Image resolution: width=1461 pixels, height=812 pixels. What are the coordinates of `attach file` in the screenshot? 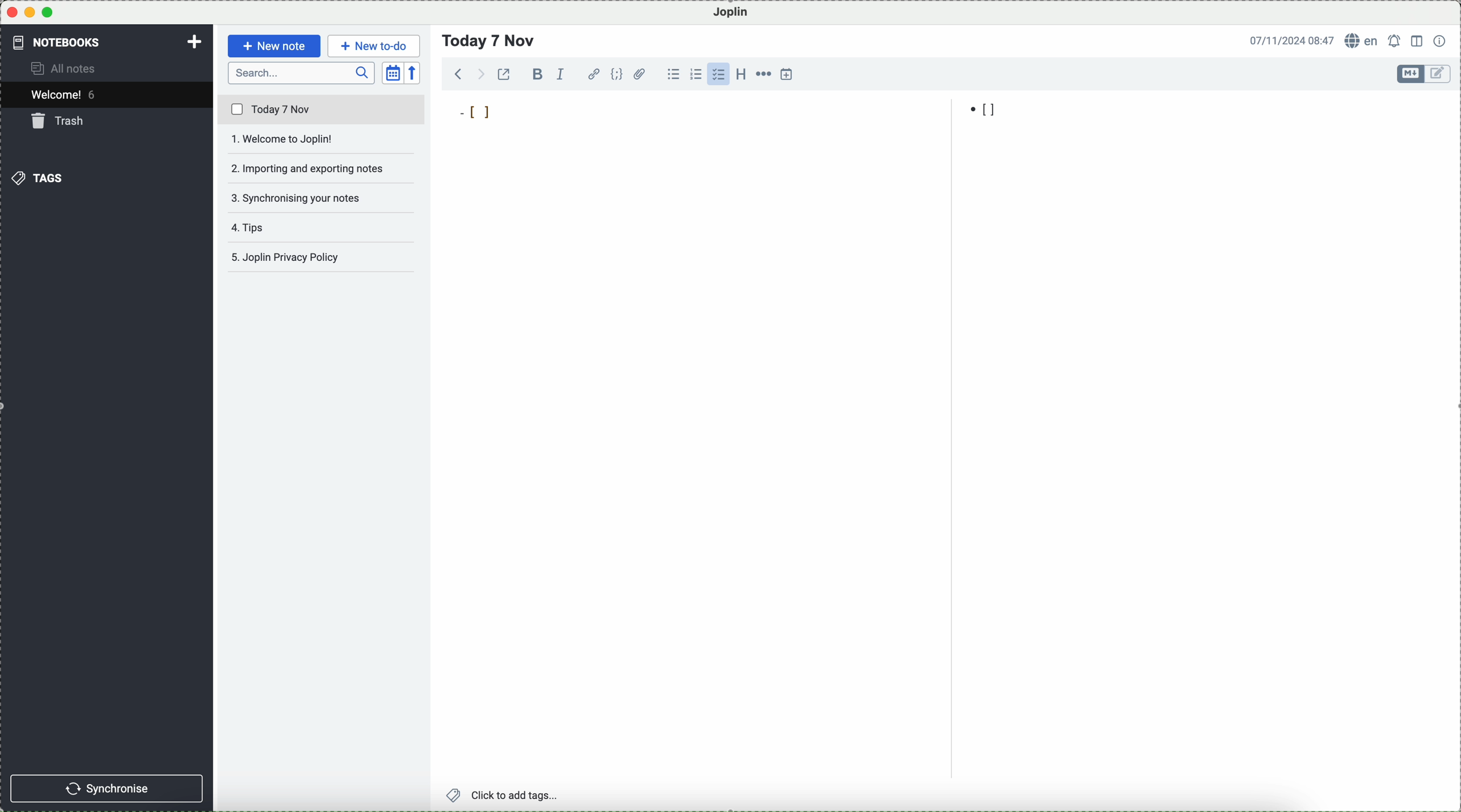 It's located at (640, 74).